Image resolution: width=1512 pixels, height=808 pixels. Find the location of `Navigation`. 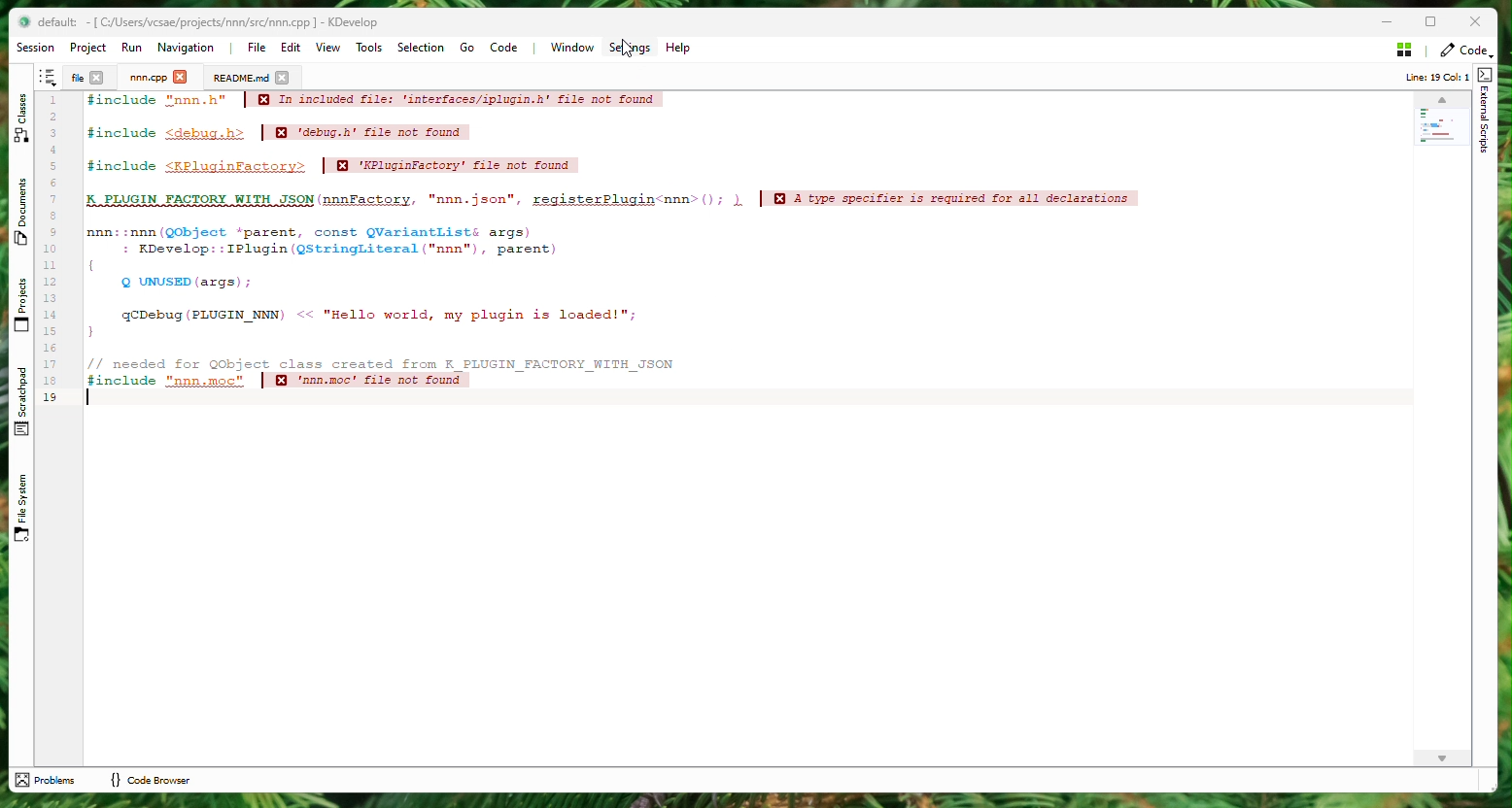

Navigation is located at coordinates (189, 49).